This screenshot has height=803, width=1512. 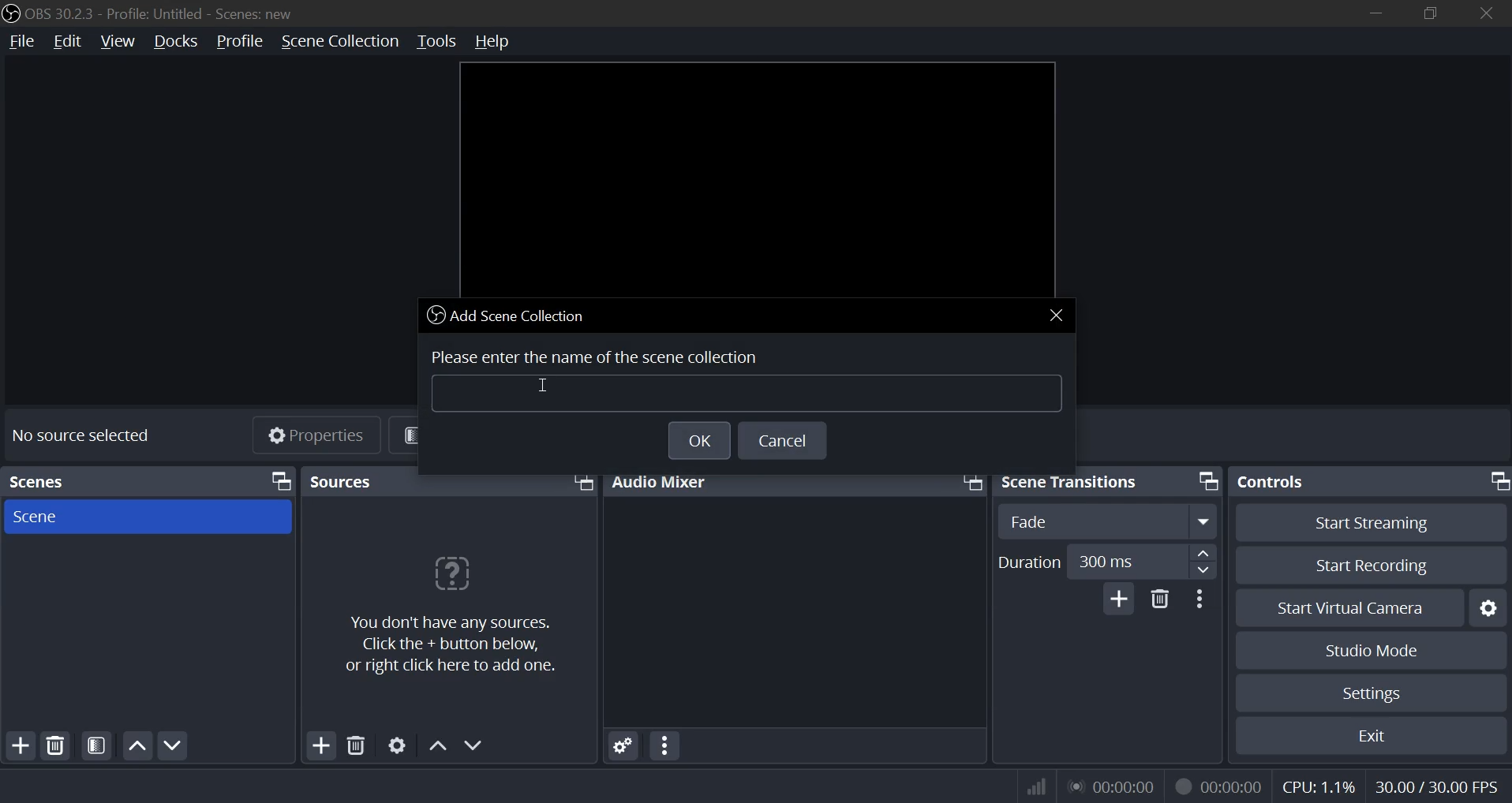 I want to click on scene transitions, so click(x=1076, y=481).